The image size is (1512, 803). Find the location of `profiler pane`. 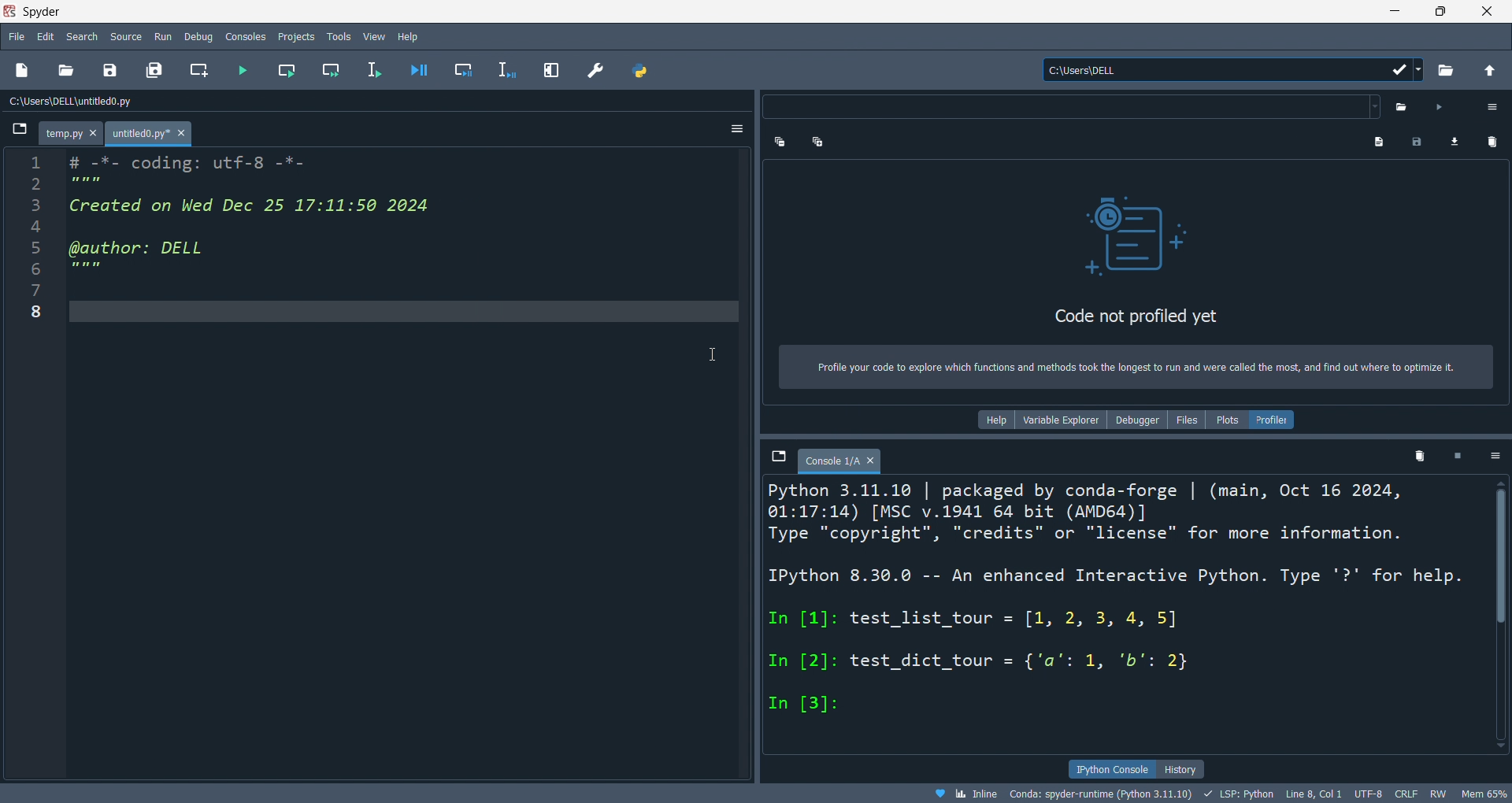

profiler pane is located at coordinates (1133, 248).